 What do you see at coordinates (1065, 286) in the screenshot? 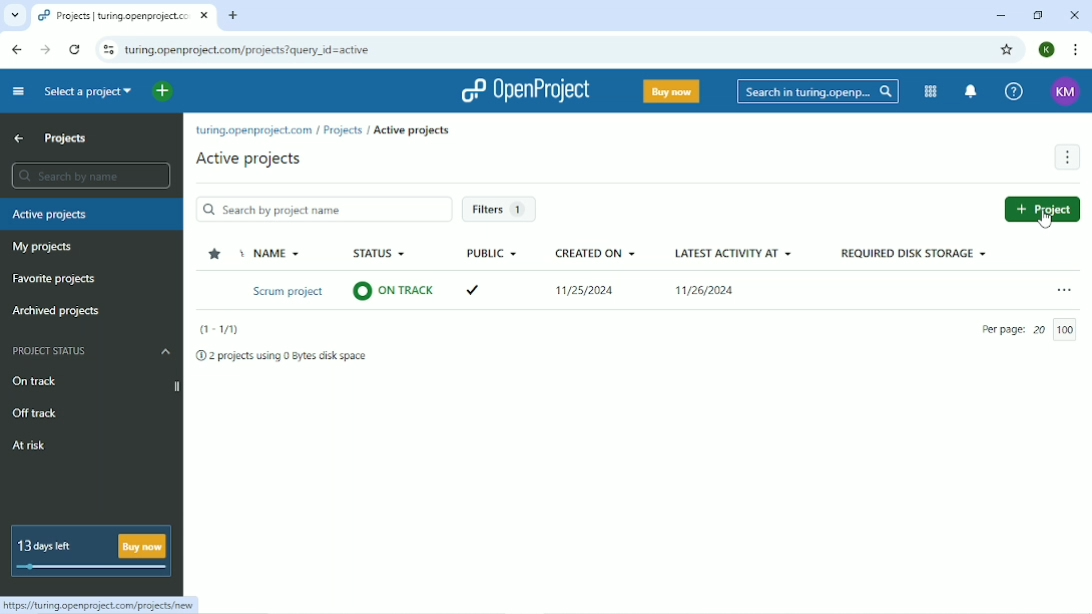
I see `Open menu` at bounding box center [1065, 286].